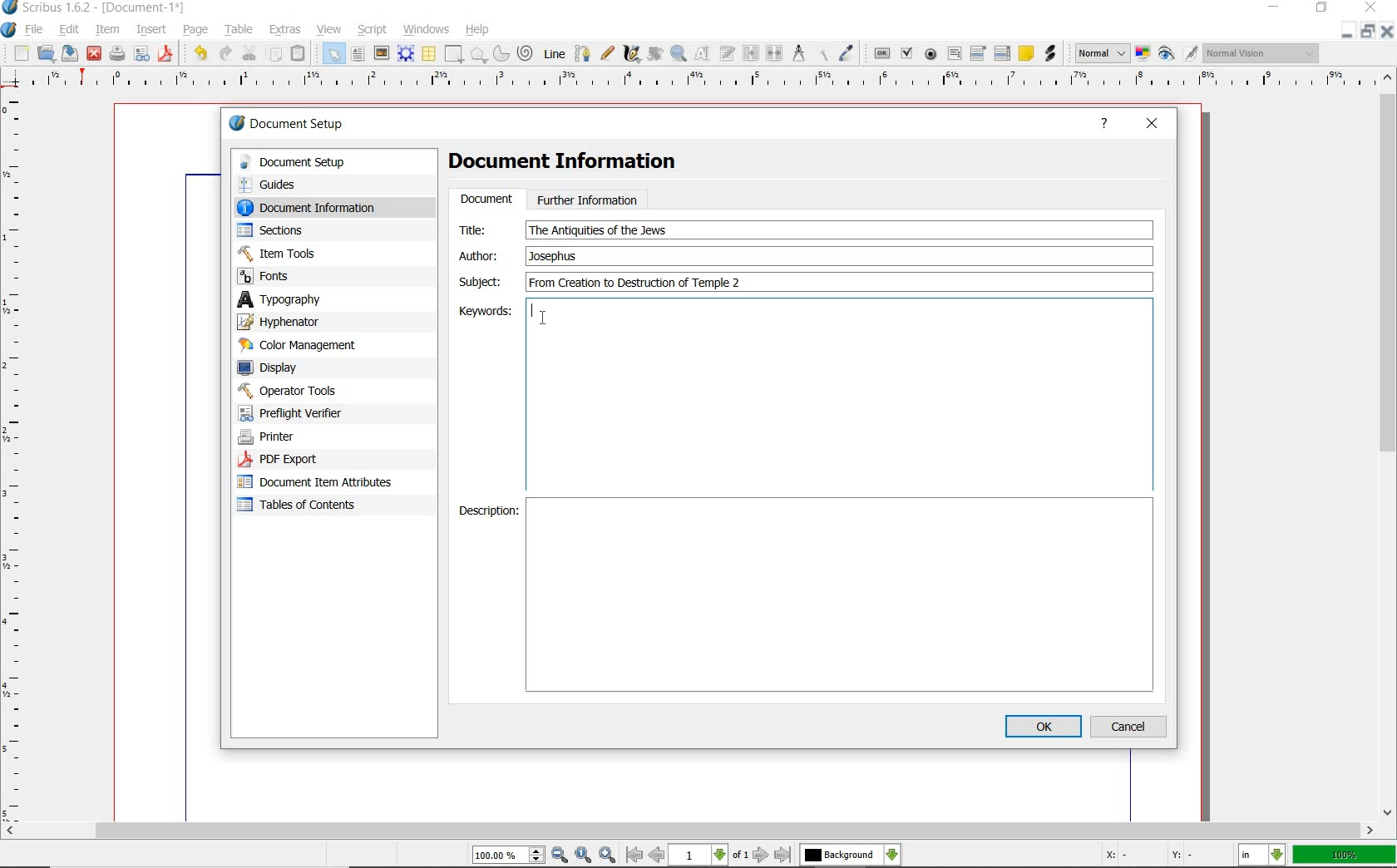  I want to click on open, so click(47, 53).